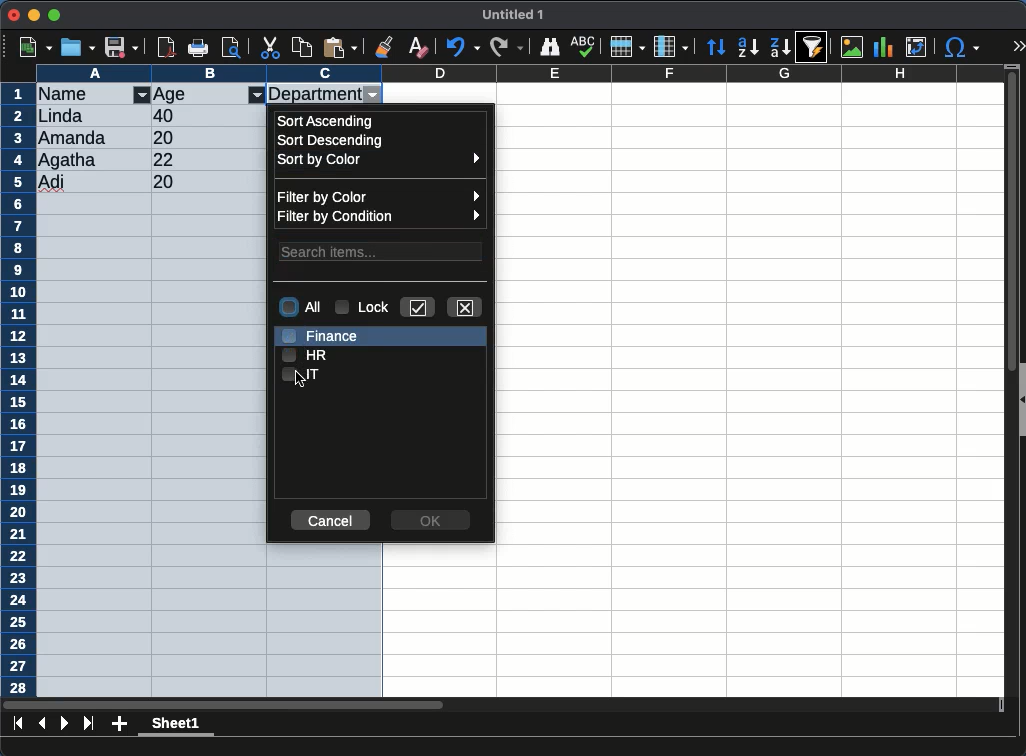  Describe the element at coordinates (173, 95) in the screenshot. I see `age` at that location.